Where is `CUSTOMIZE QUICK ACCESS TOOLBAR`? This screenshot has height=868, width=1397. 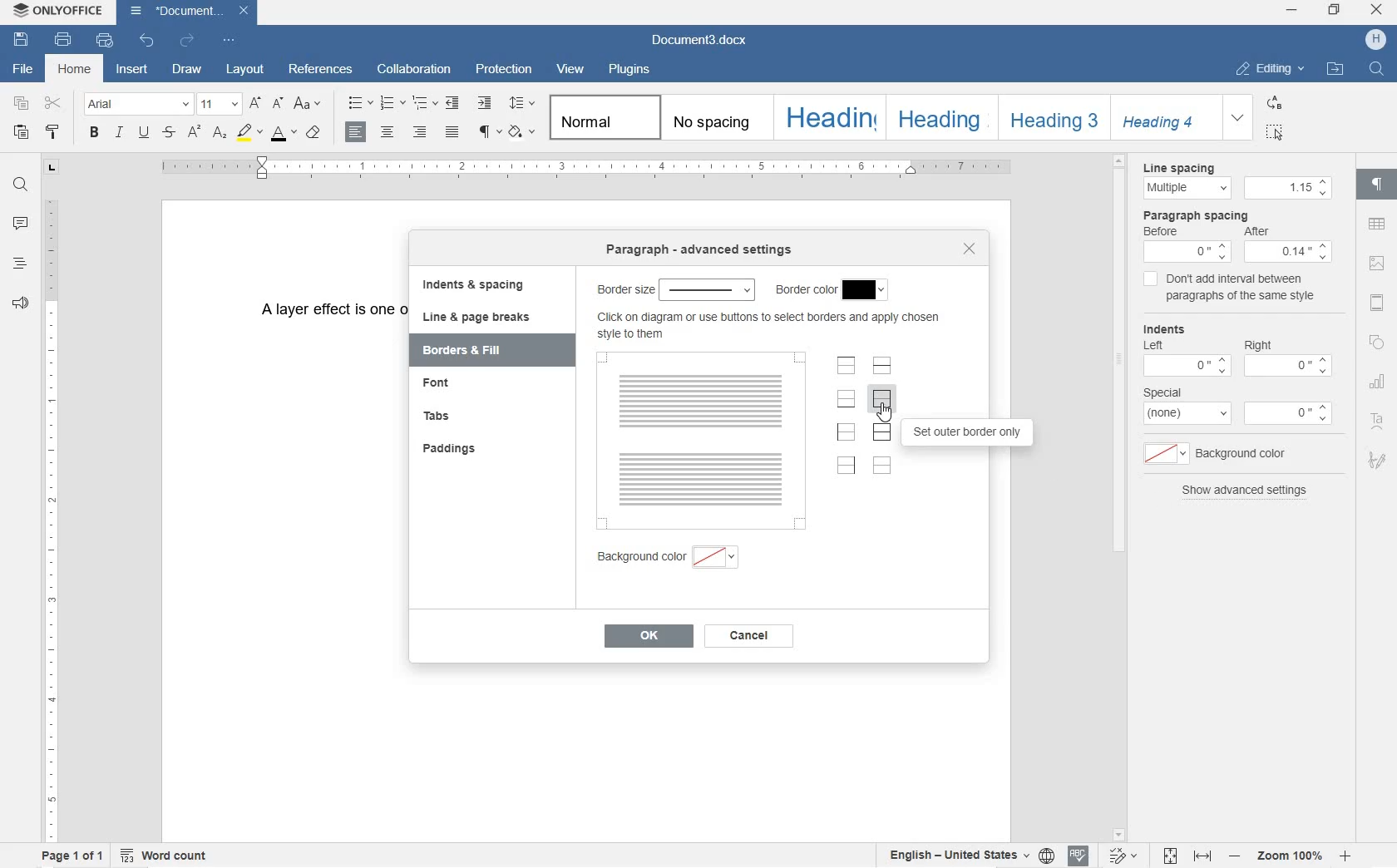
CUSTOMIZE QUICK ACCESS TOOLBAR is located at coordinates (230, 42).